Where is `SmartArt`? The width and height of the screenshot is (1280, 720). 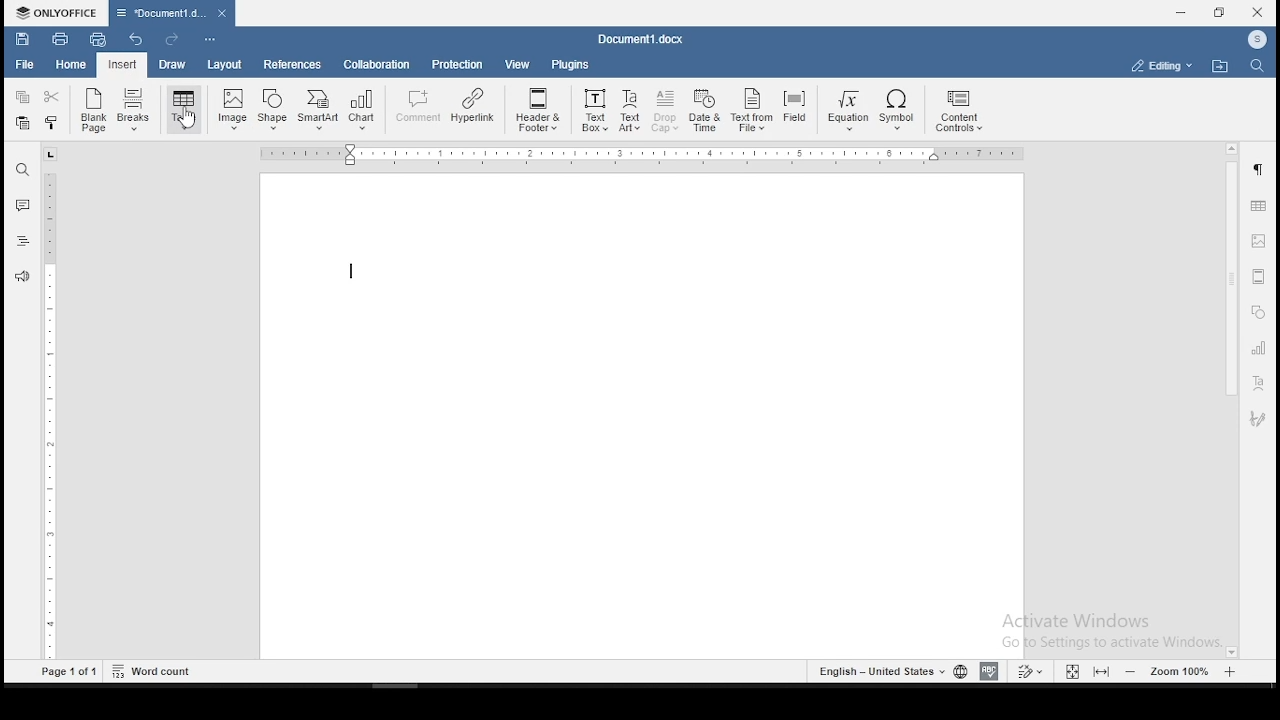
SmartArt is located at coordinates (317, 110).